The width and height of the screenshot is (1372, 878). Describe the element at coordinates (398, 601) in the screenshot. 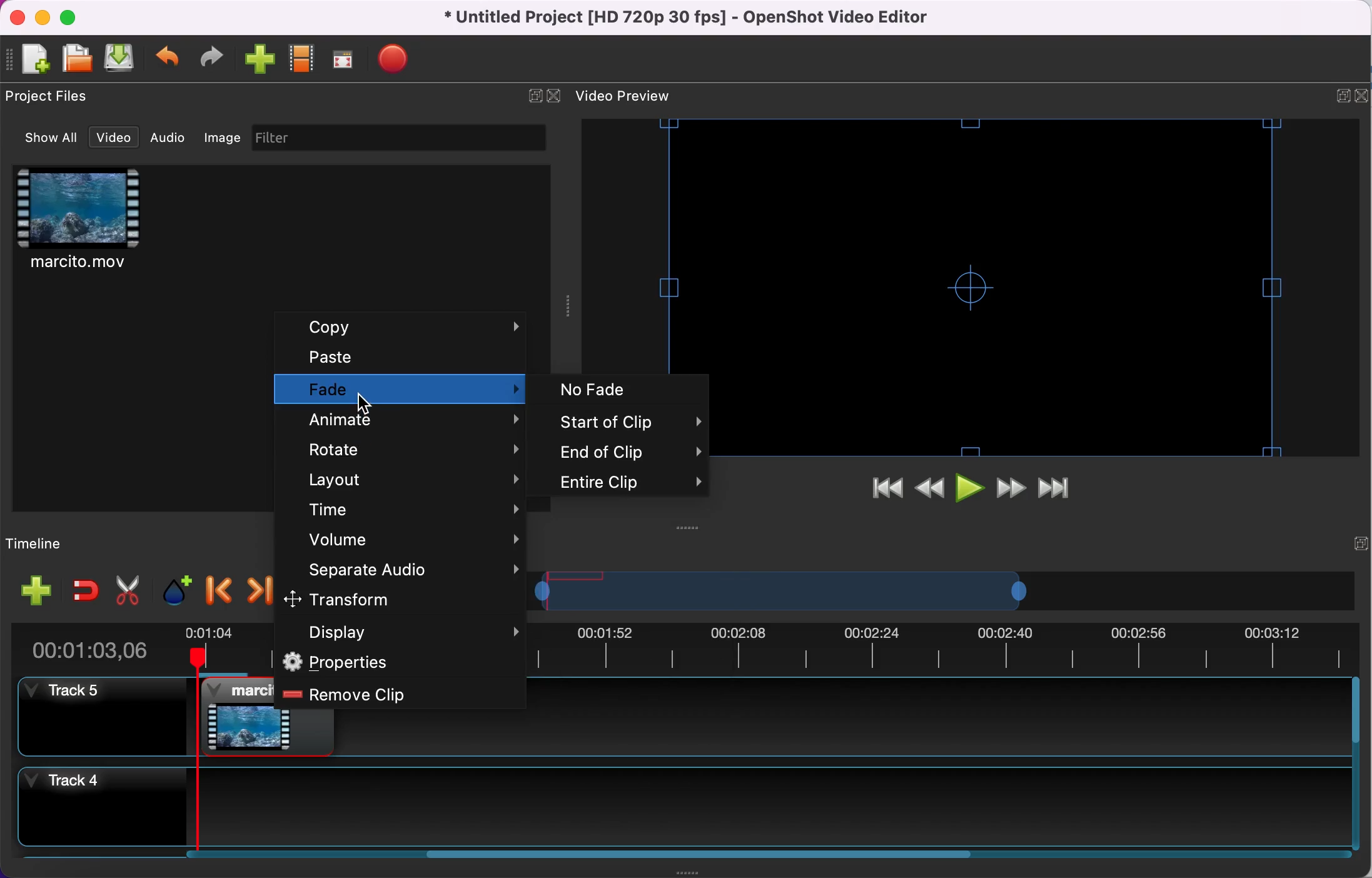

I see `transform` at that location.